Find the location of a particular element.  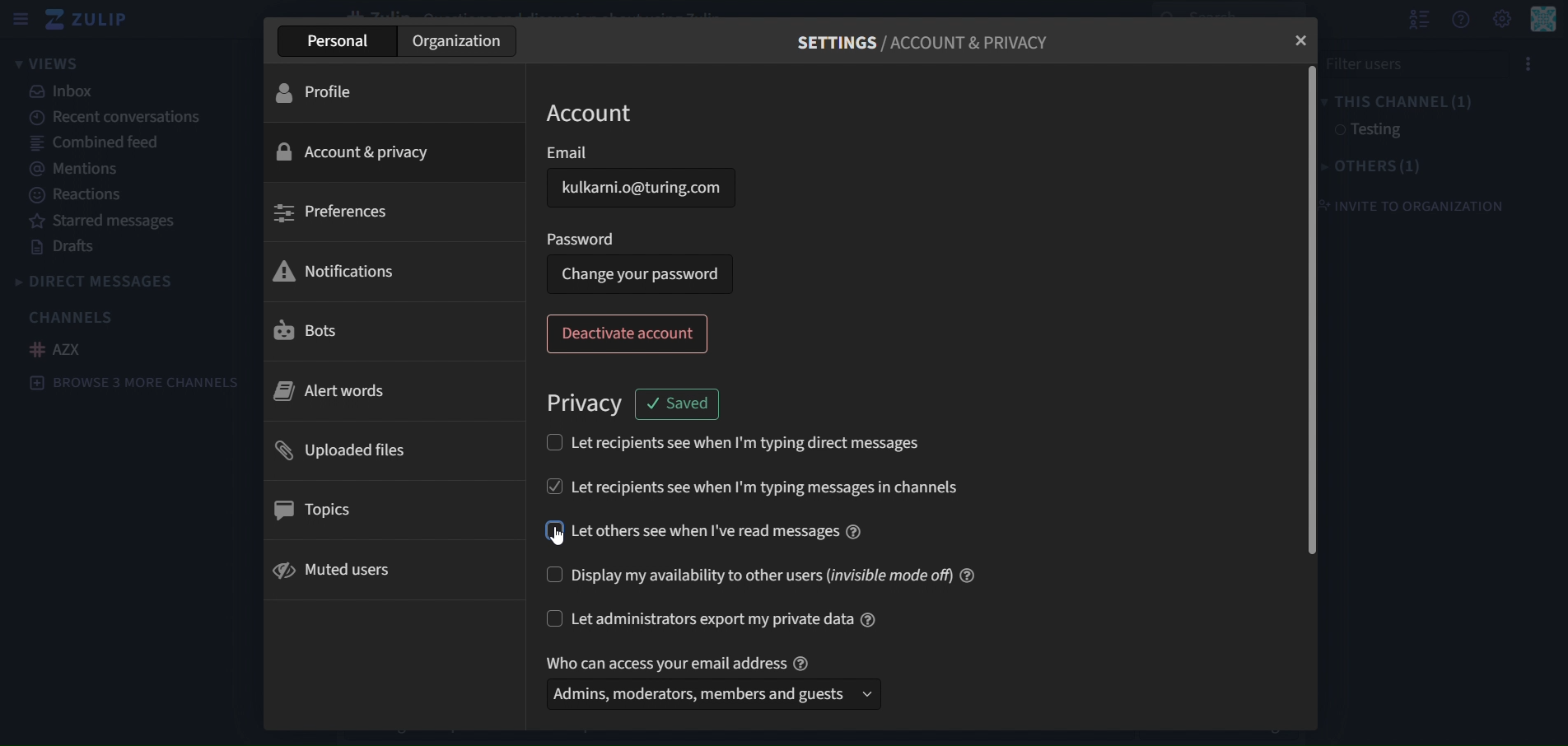

let others seewhen I've read messages is located at coordinates (719, 529).